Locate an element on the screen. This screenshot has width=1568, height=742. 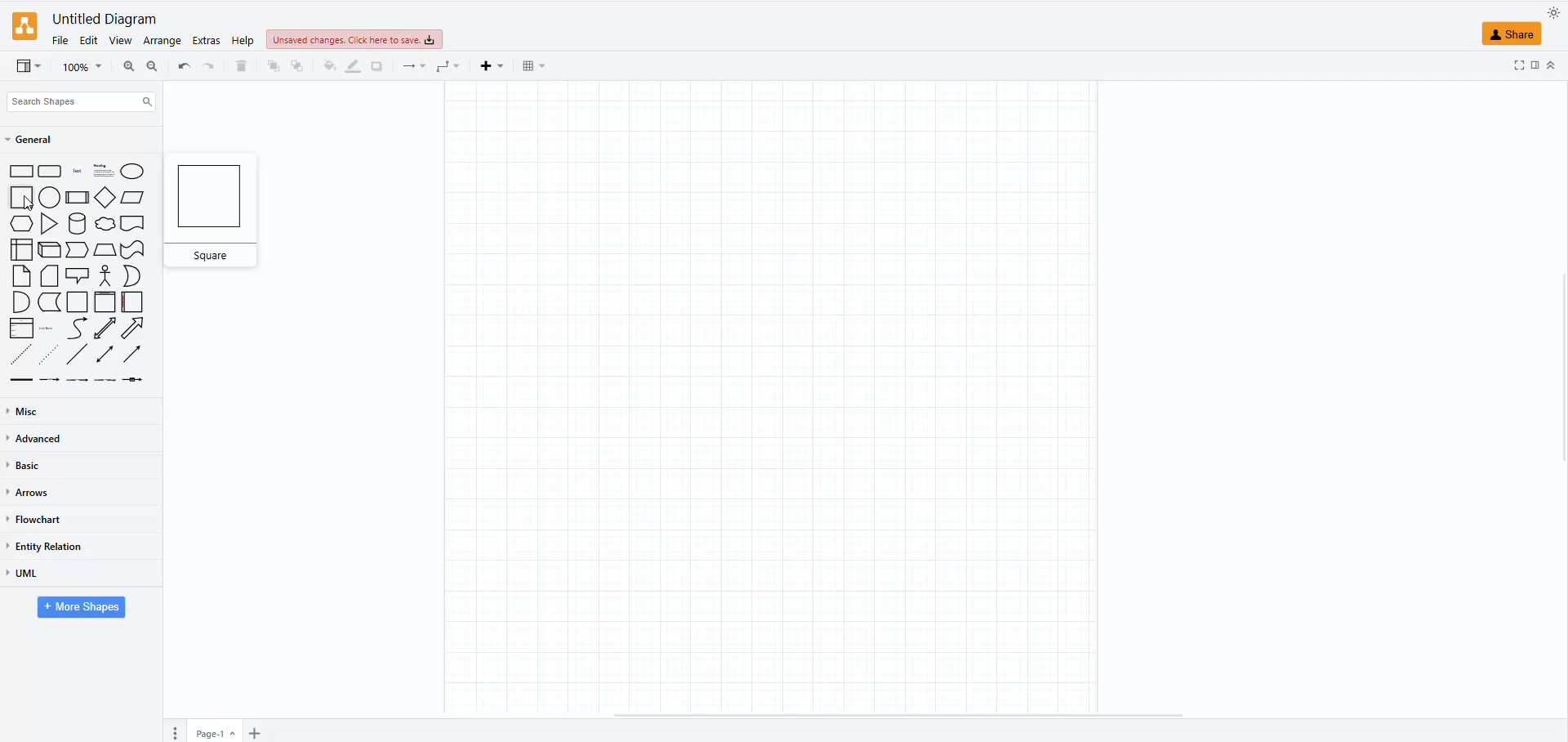
help is located at coordinates (243, 38).